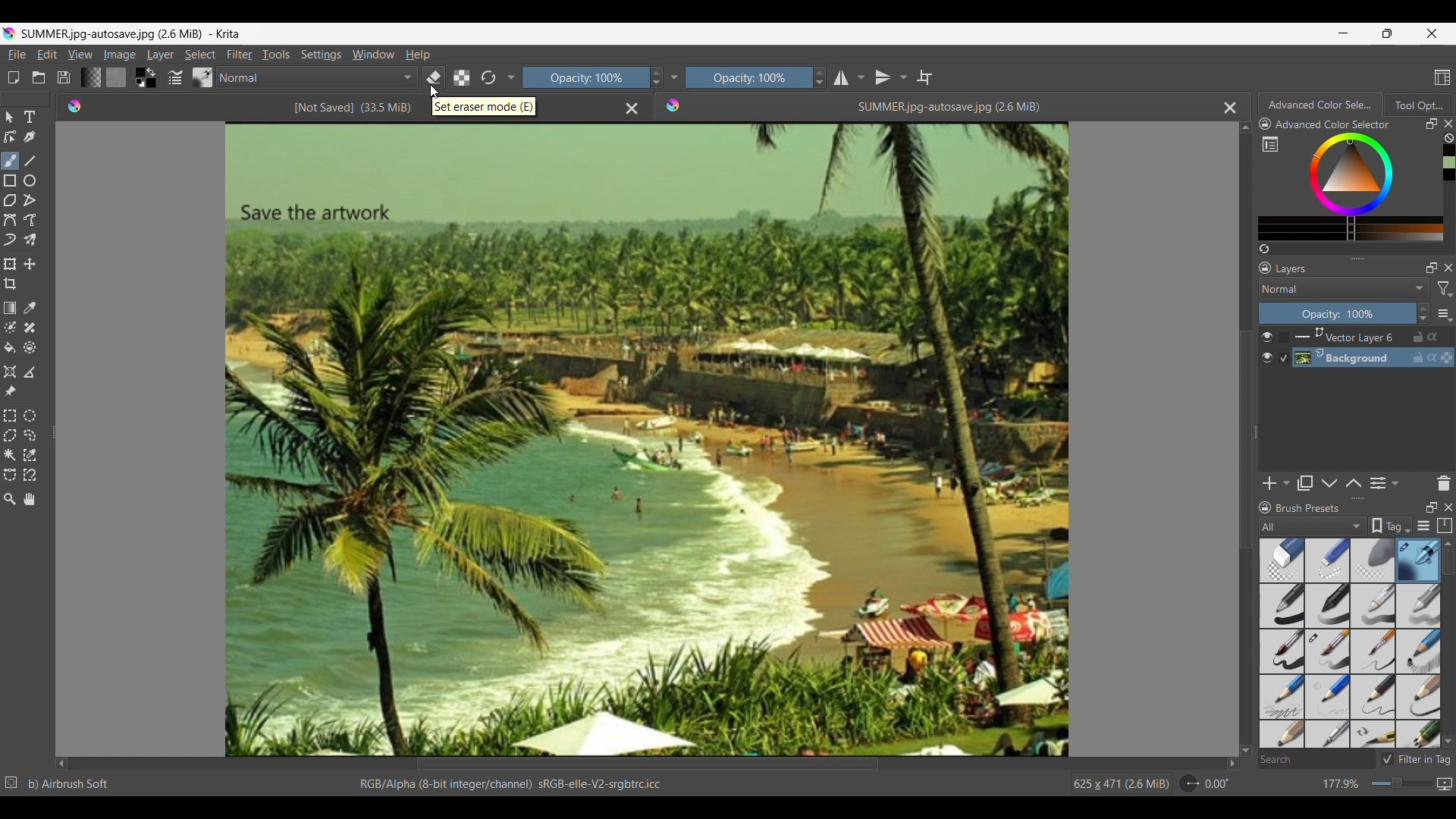 The height and width of the screenshot is (819, 1456). Describe the element at coordinates (1285, 348) in the screenshot. I see `Indicates respective background is selected` at that location.